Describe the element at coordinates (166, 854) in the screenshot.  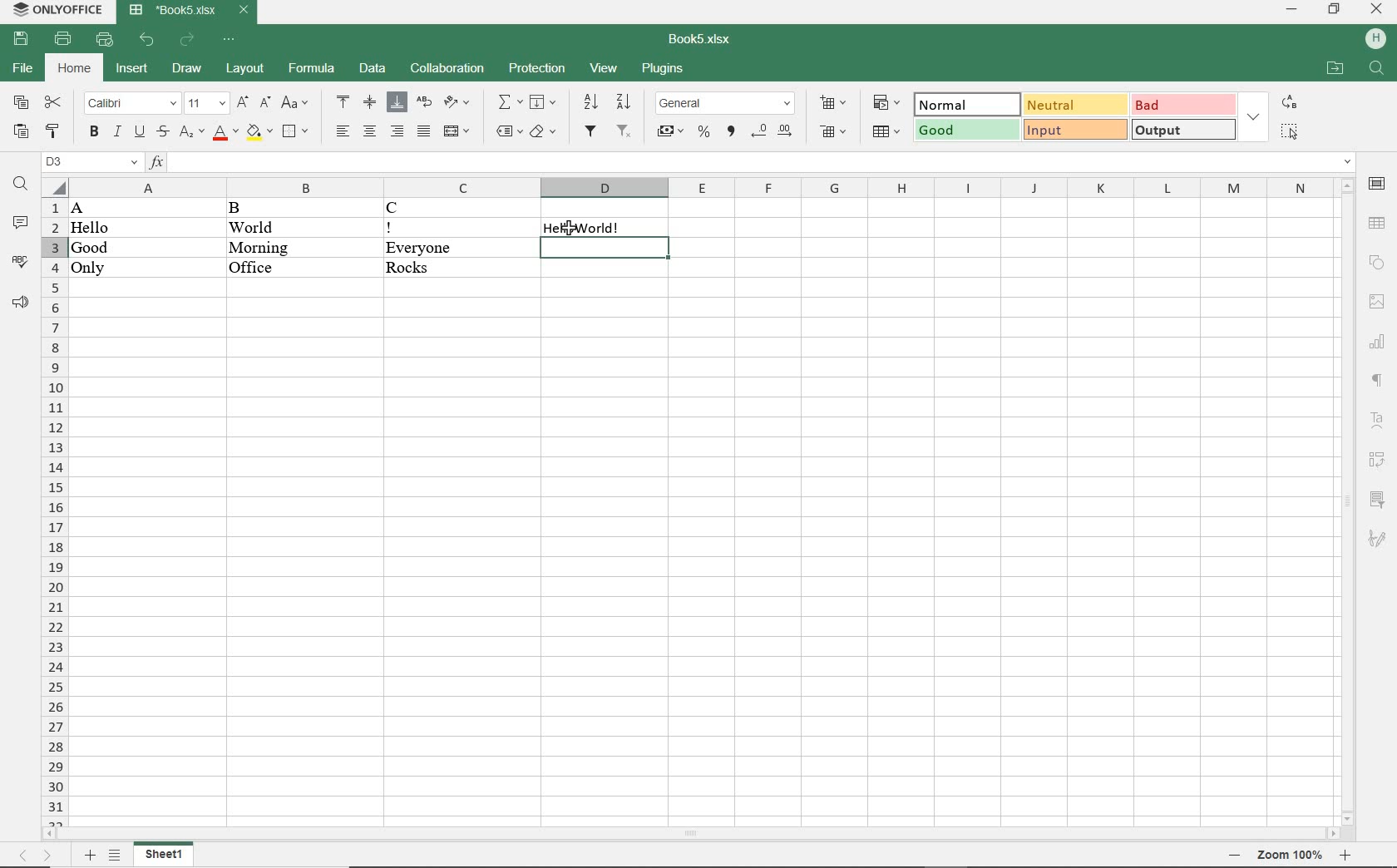
I see `SHEET1` at that location.